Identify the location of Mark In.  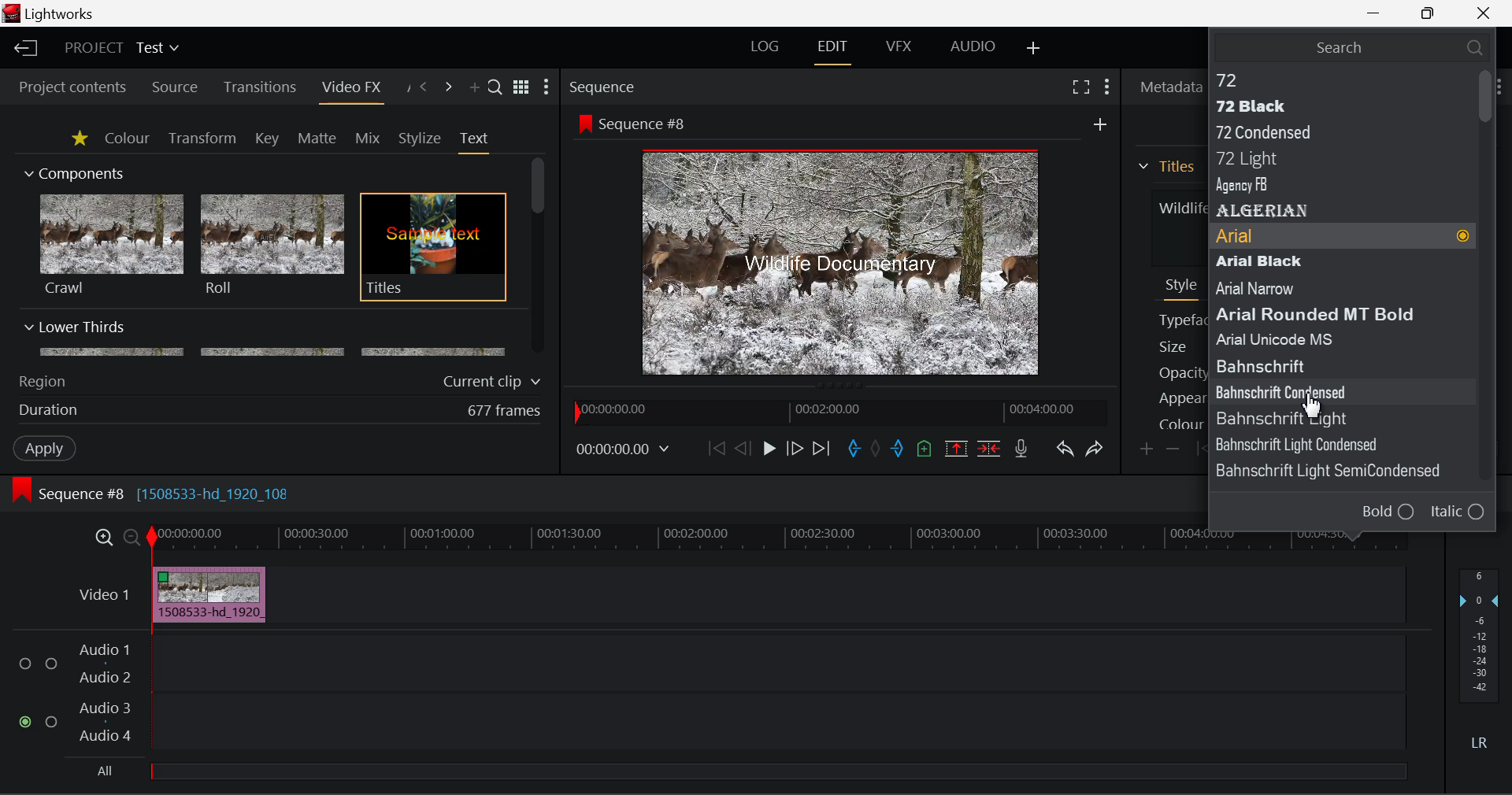
(854, 451).